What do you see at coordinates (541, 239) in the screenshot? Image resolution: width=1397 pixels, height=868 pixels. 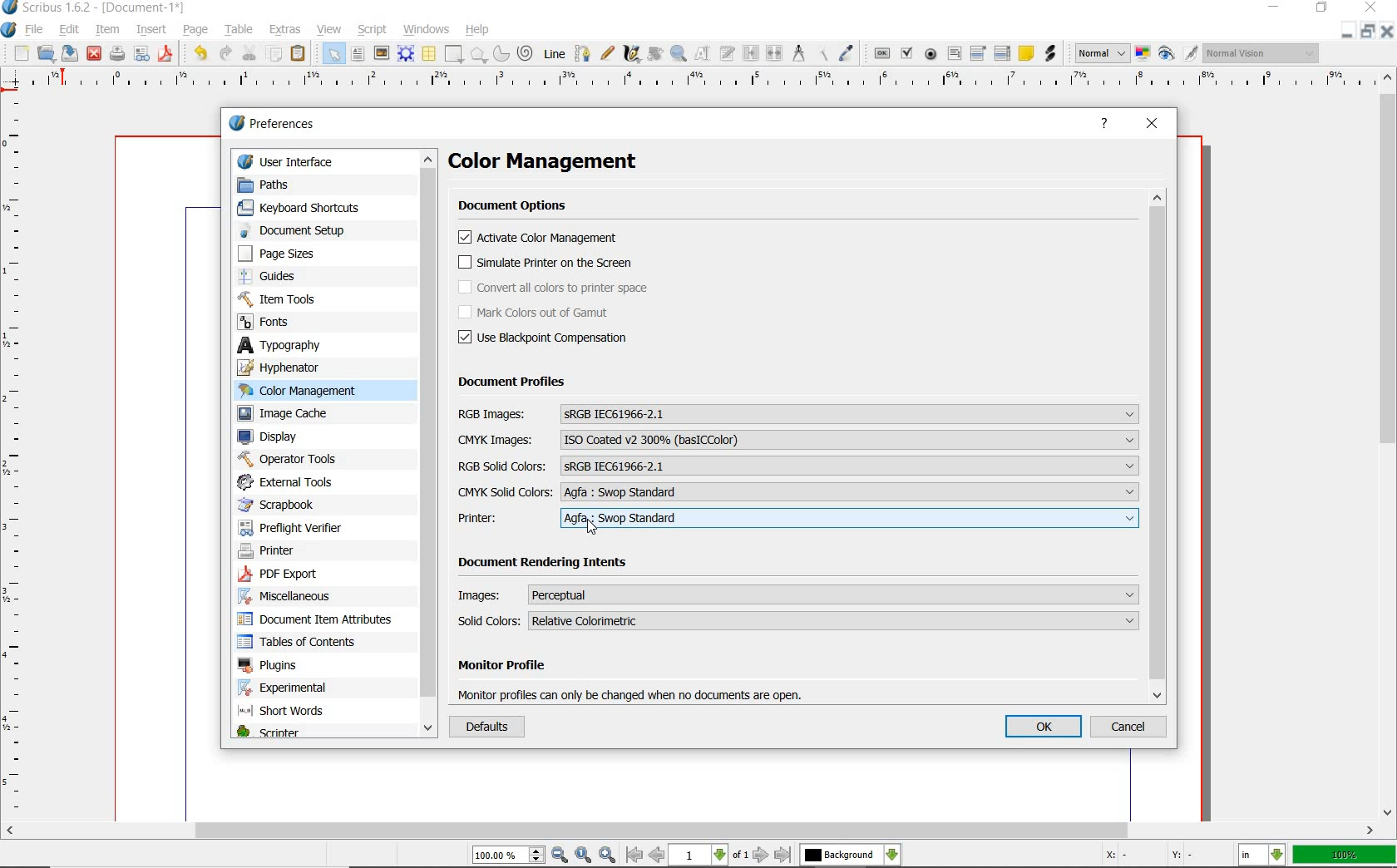 I see `activate color management` at bounding box center [541, 239].